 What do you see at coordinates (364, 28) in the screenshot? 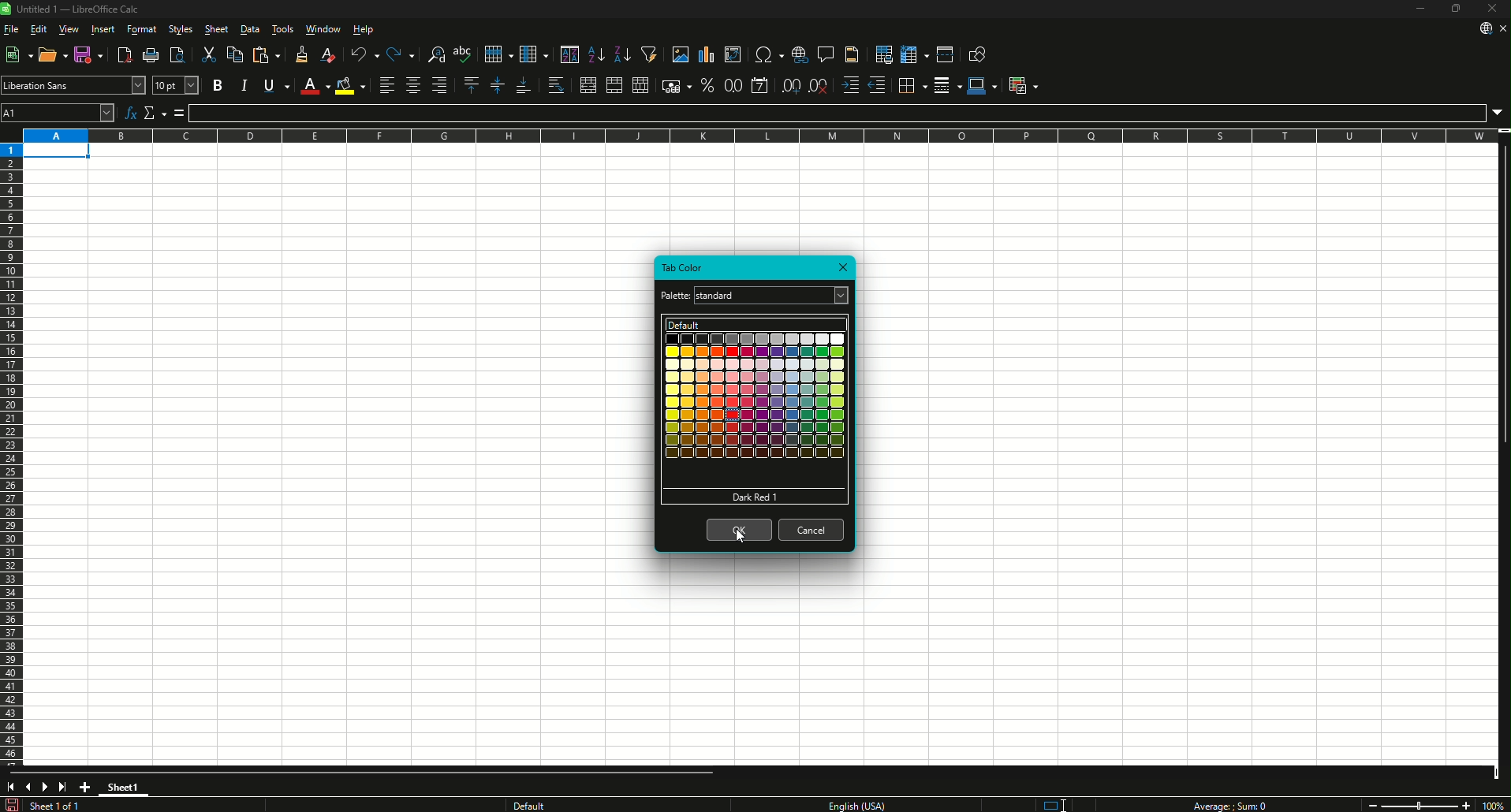
I see `Help` at bounding box center [364, 28].